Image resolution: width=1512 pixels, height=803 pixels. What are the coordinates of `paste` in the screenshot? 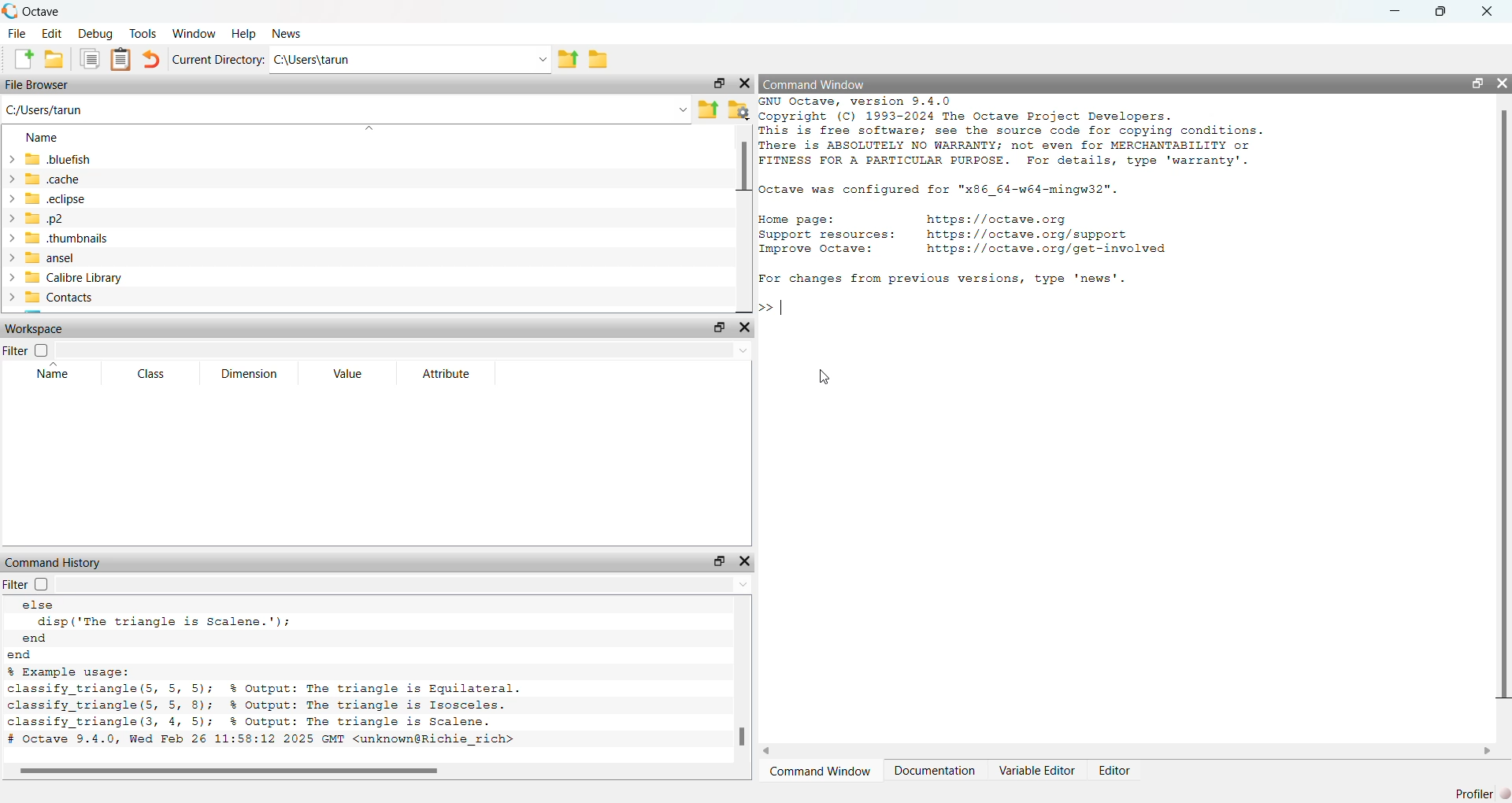 It's located at (120, 60).